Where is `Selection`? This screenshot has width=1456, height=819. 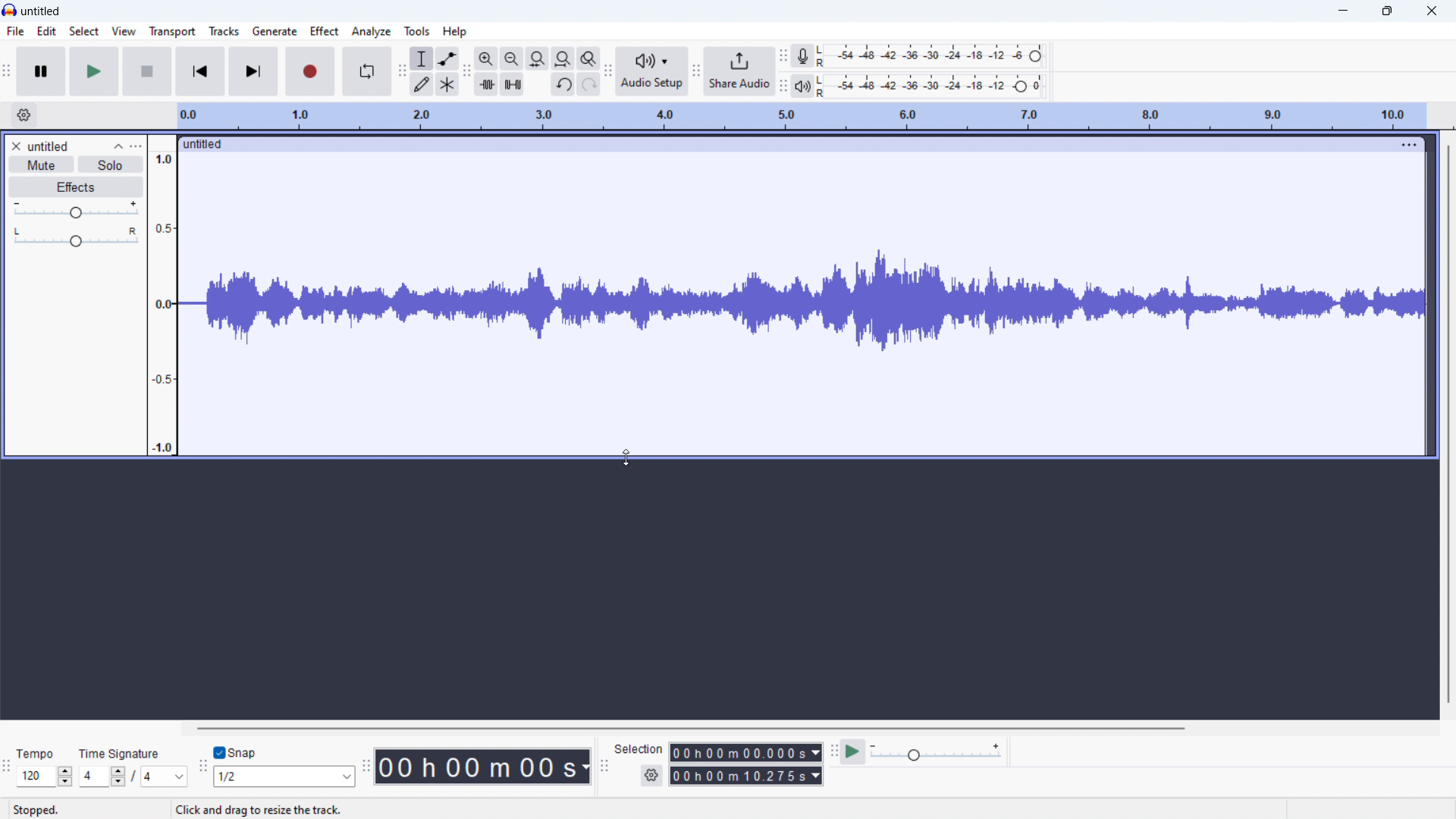
Selection is located at coordinates (640, 748).